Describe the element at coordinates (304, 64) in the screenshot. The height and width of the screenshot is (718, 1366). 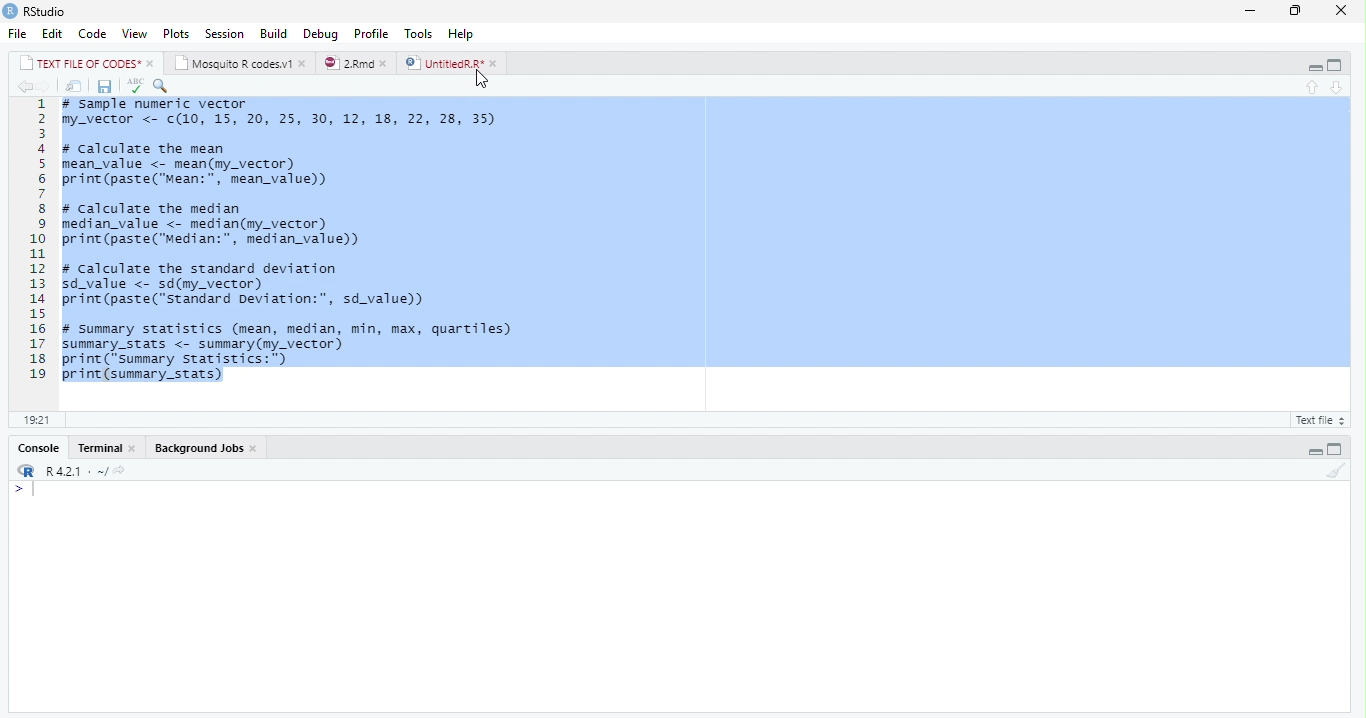
I see `close` at that location.